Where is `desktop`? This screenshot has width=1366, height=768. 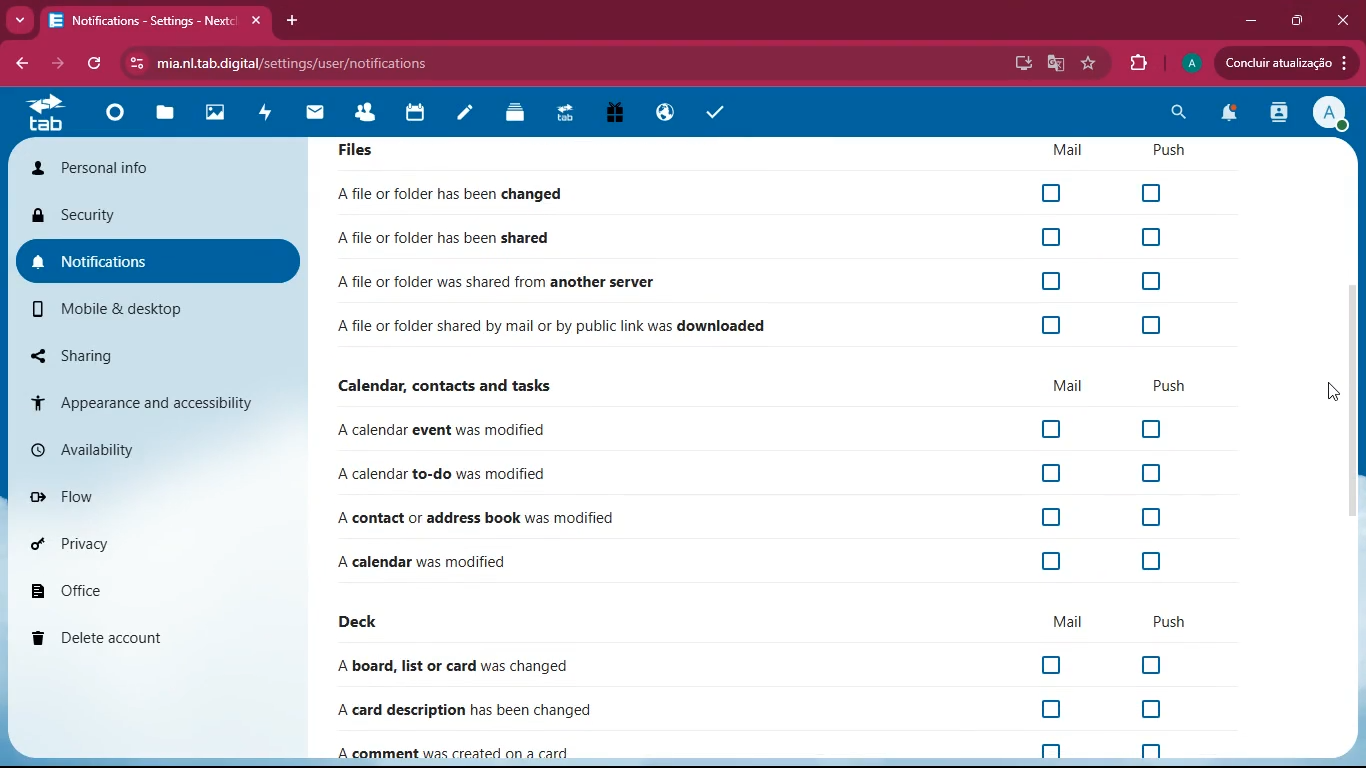
desktop is located at coordinates (1020, 65).